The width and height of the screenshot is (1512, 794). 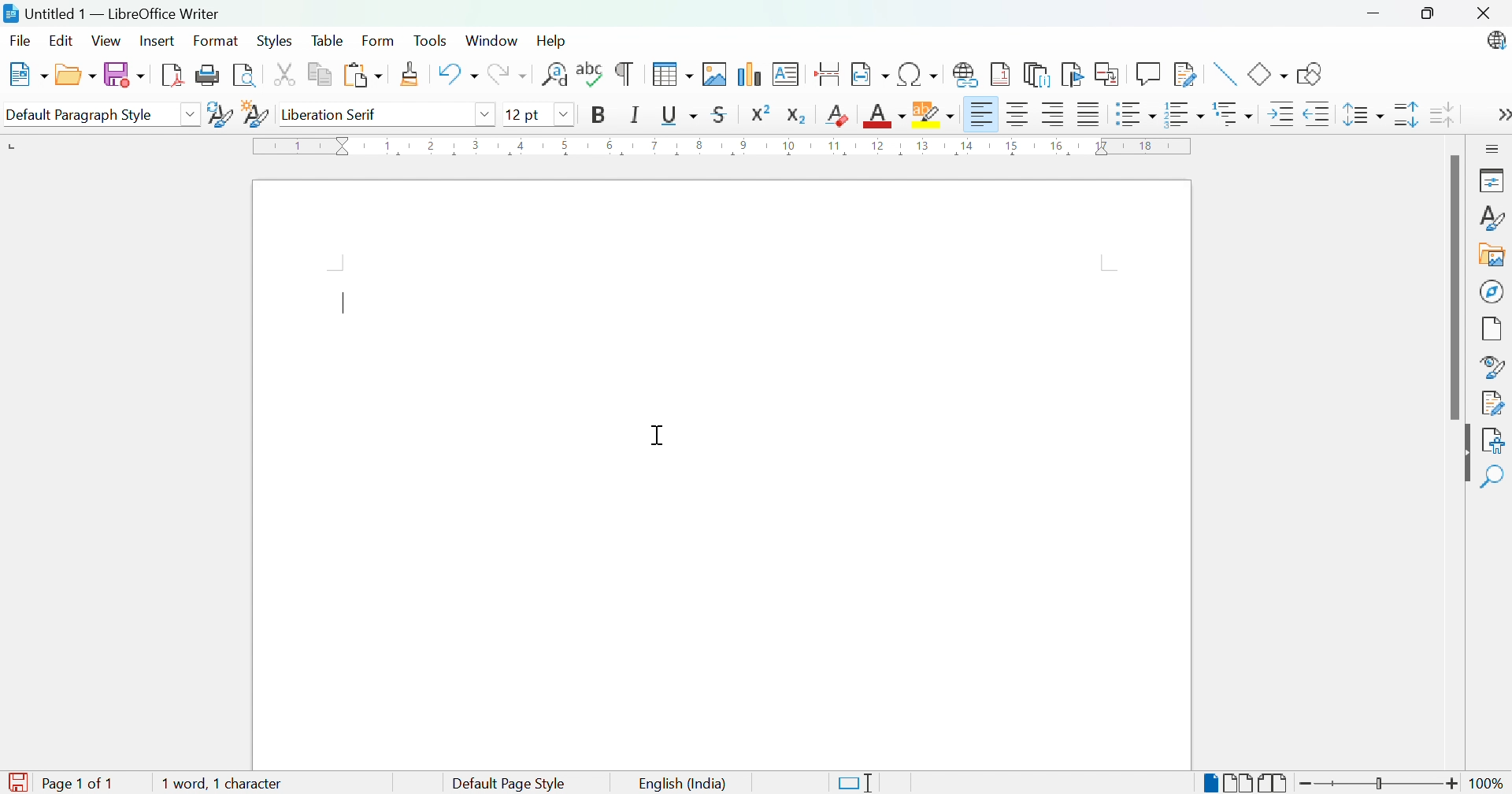 What do you see at coordinates (218, 41) in the screenshot?
I see `Format` at bounding box center [218, 41].